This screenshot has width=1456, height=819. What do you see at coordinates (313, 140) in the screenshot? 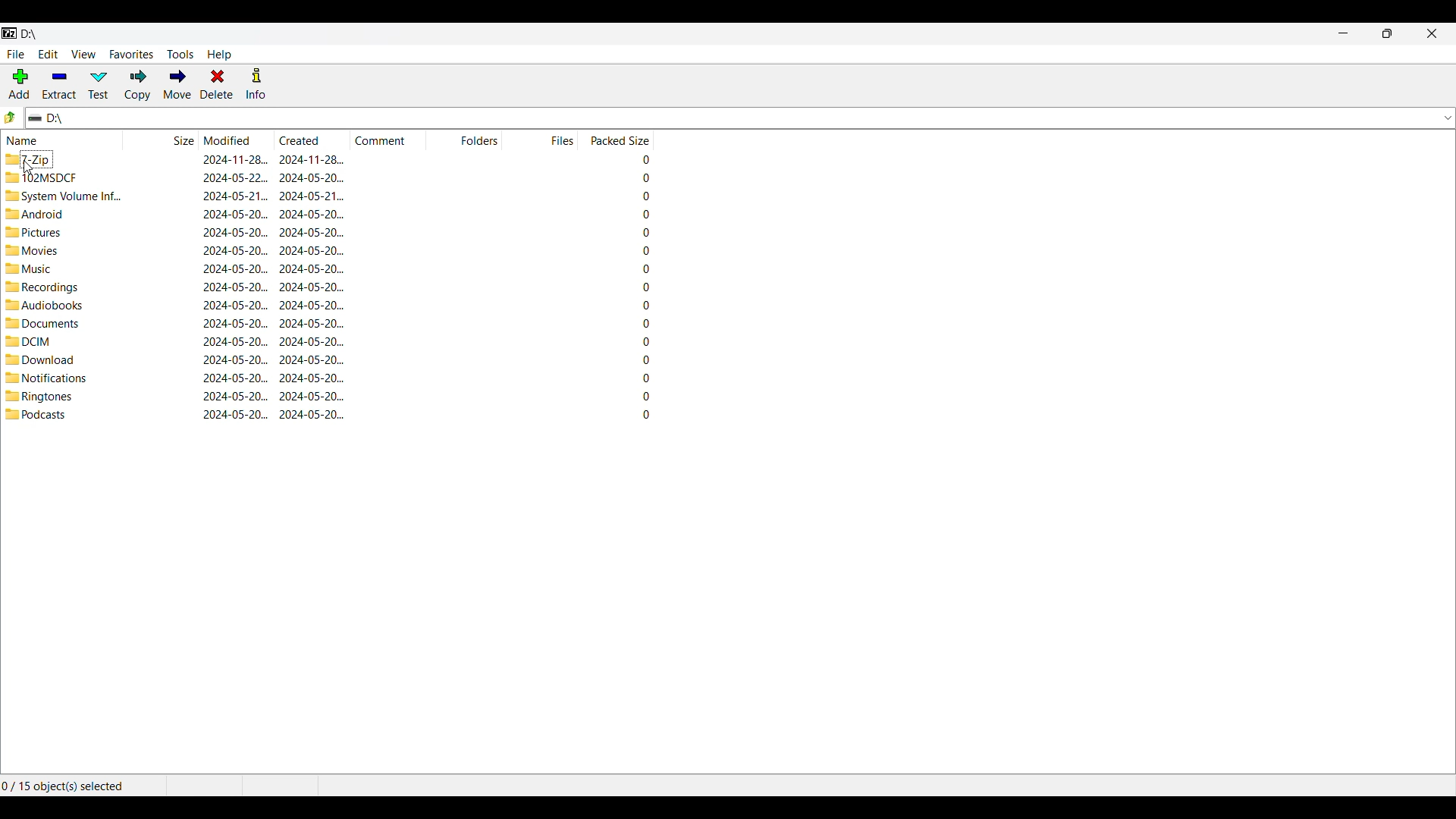
I see `Created column` at bounding box center [313, 140].